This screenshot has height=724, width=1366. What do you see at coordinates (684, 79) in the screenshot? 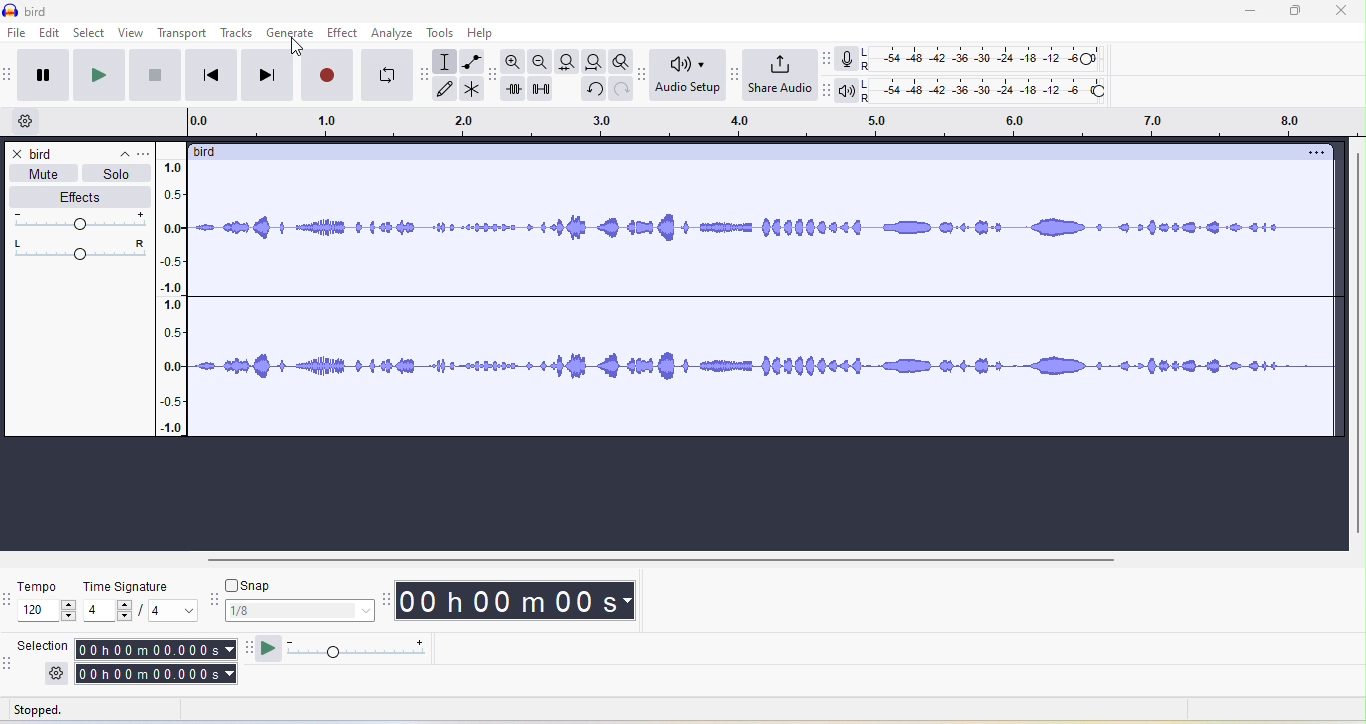
I see `audio setup ` at bounding box center [684, 79].